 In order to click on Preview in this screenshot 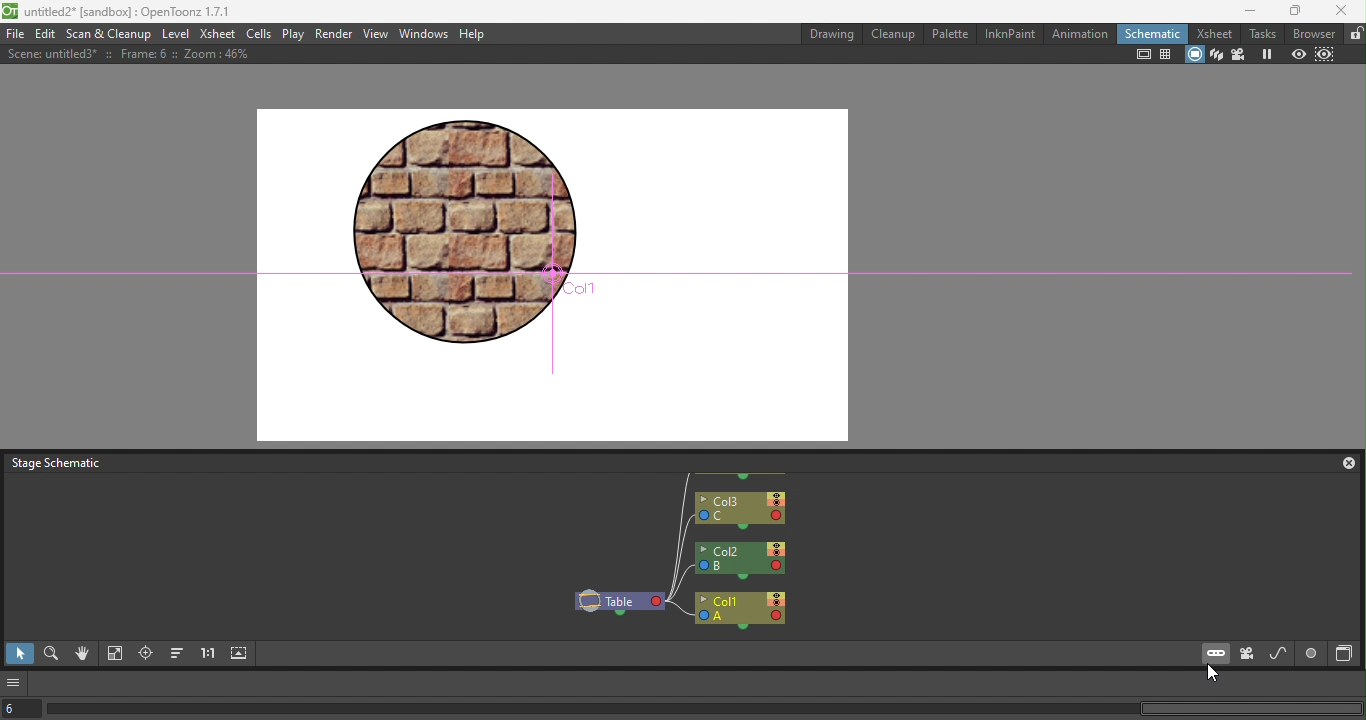, I will do `click(1298, 55)`.